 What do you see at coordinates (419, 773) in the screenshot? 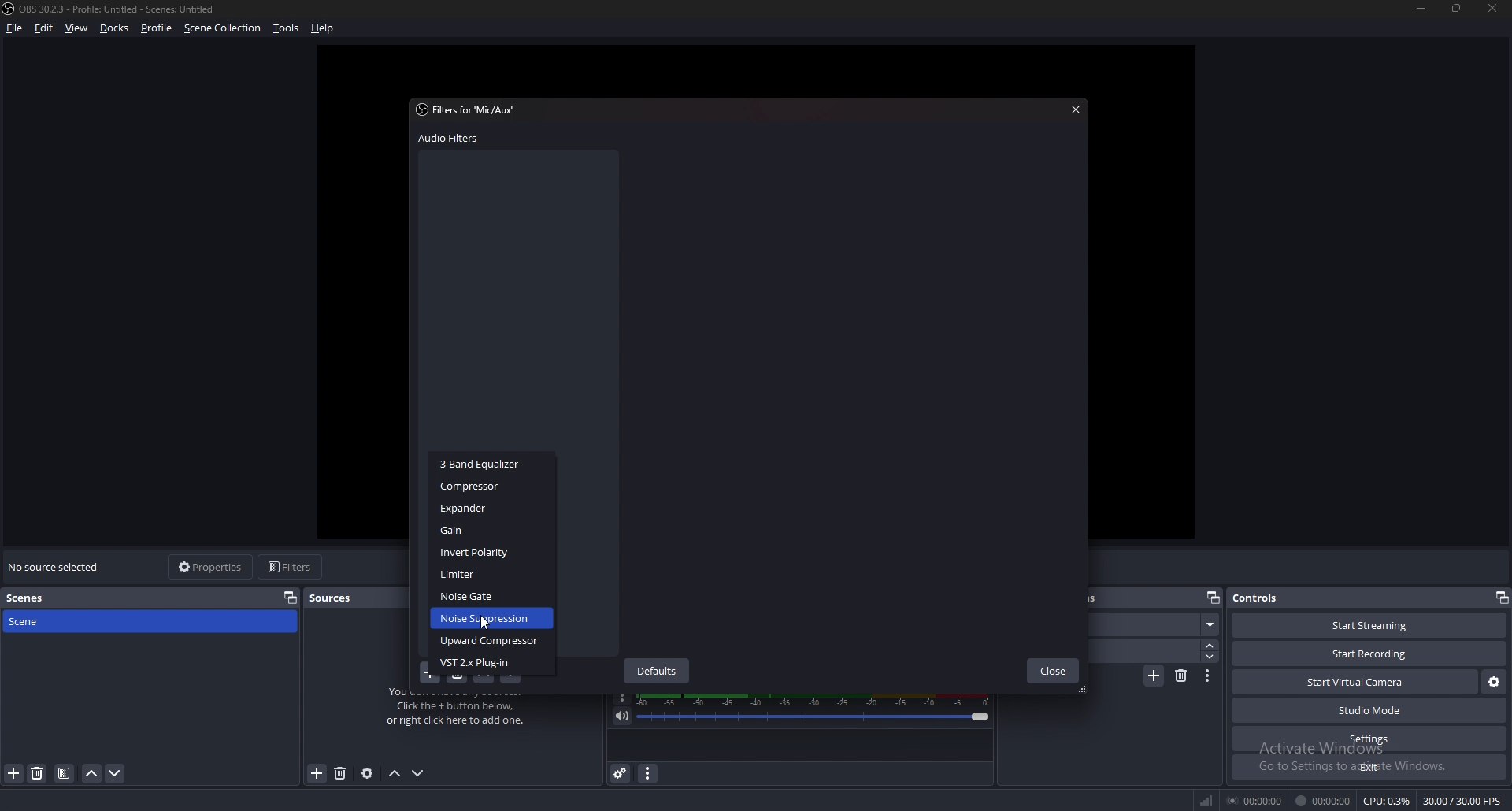
I see `move source down` at bounding box center [419, 773].